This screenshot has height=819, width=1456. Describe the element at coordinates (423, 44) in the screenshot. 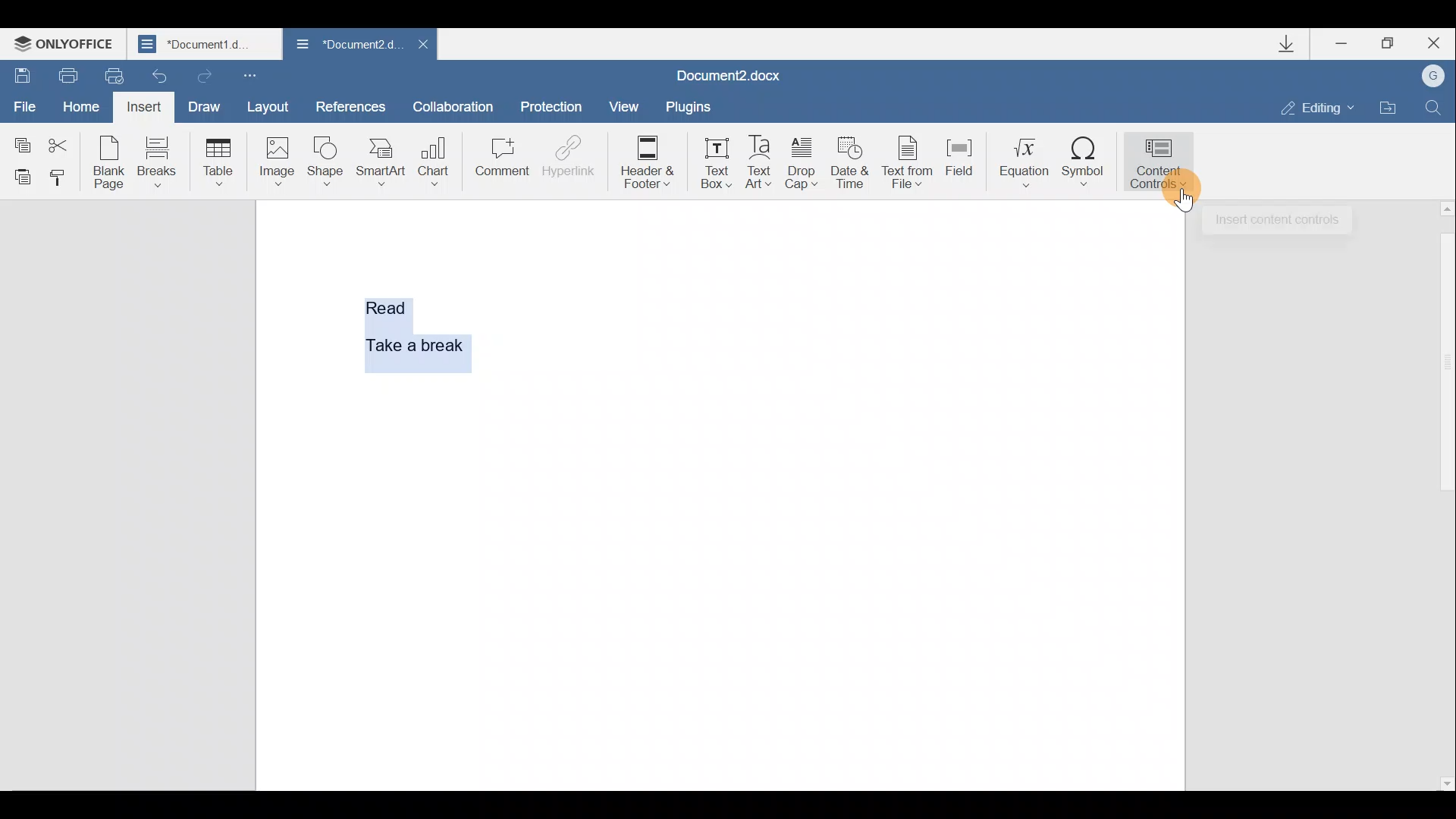

I see `Close` at that location.